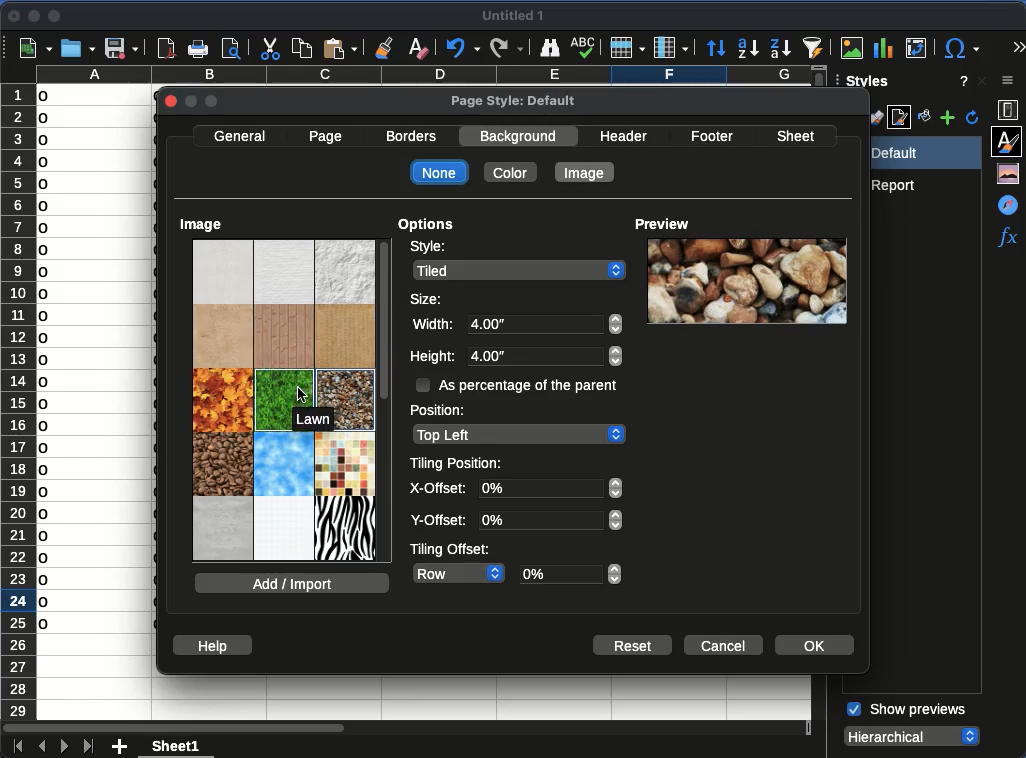  I want to click on ok, so click(813, 645).